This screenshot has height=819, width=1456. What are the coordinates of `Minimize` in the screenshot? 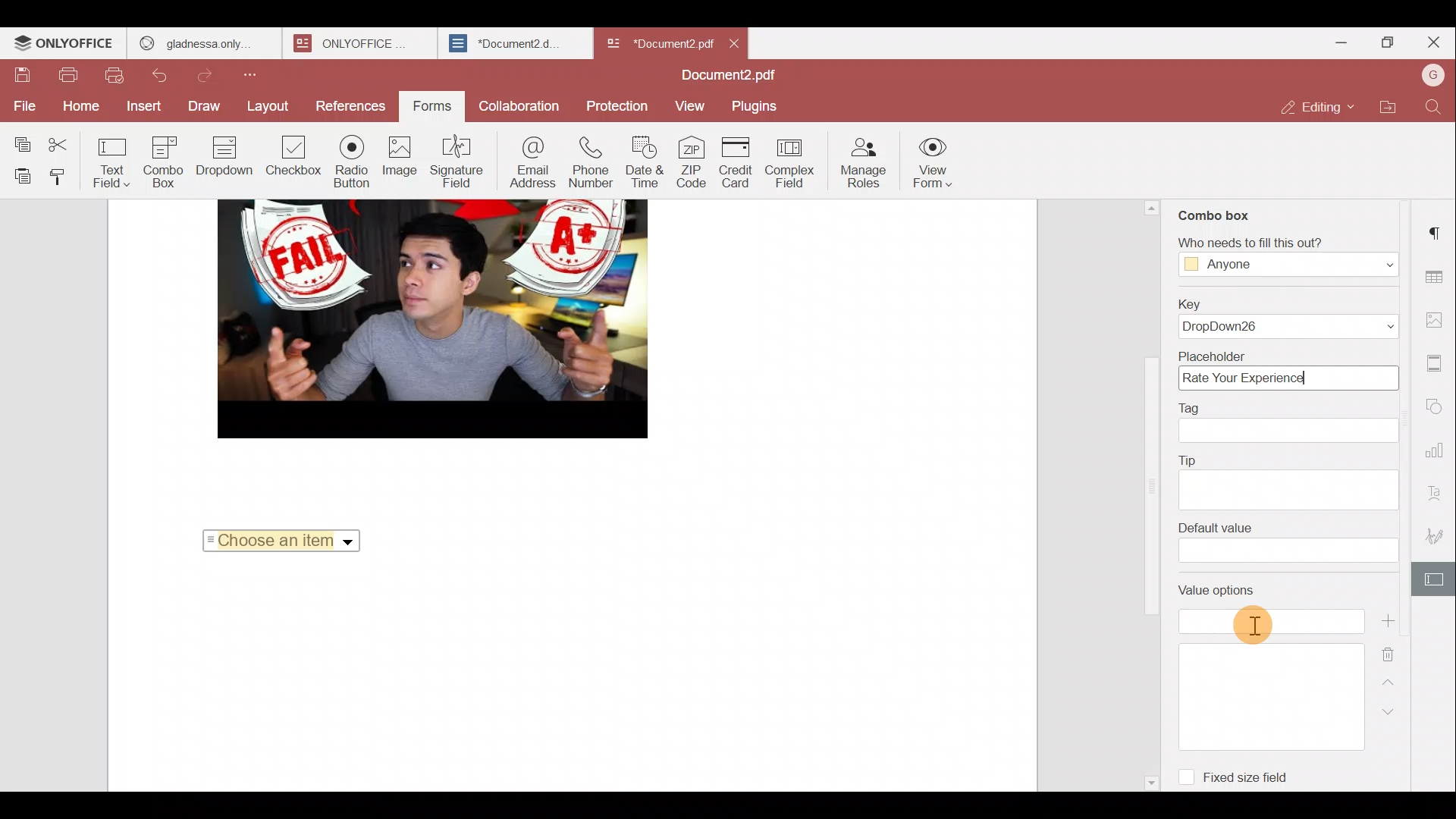 It's located at (1329, 45).